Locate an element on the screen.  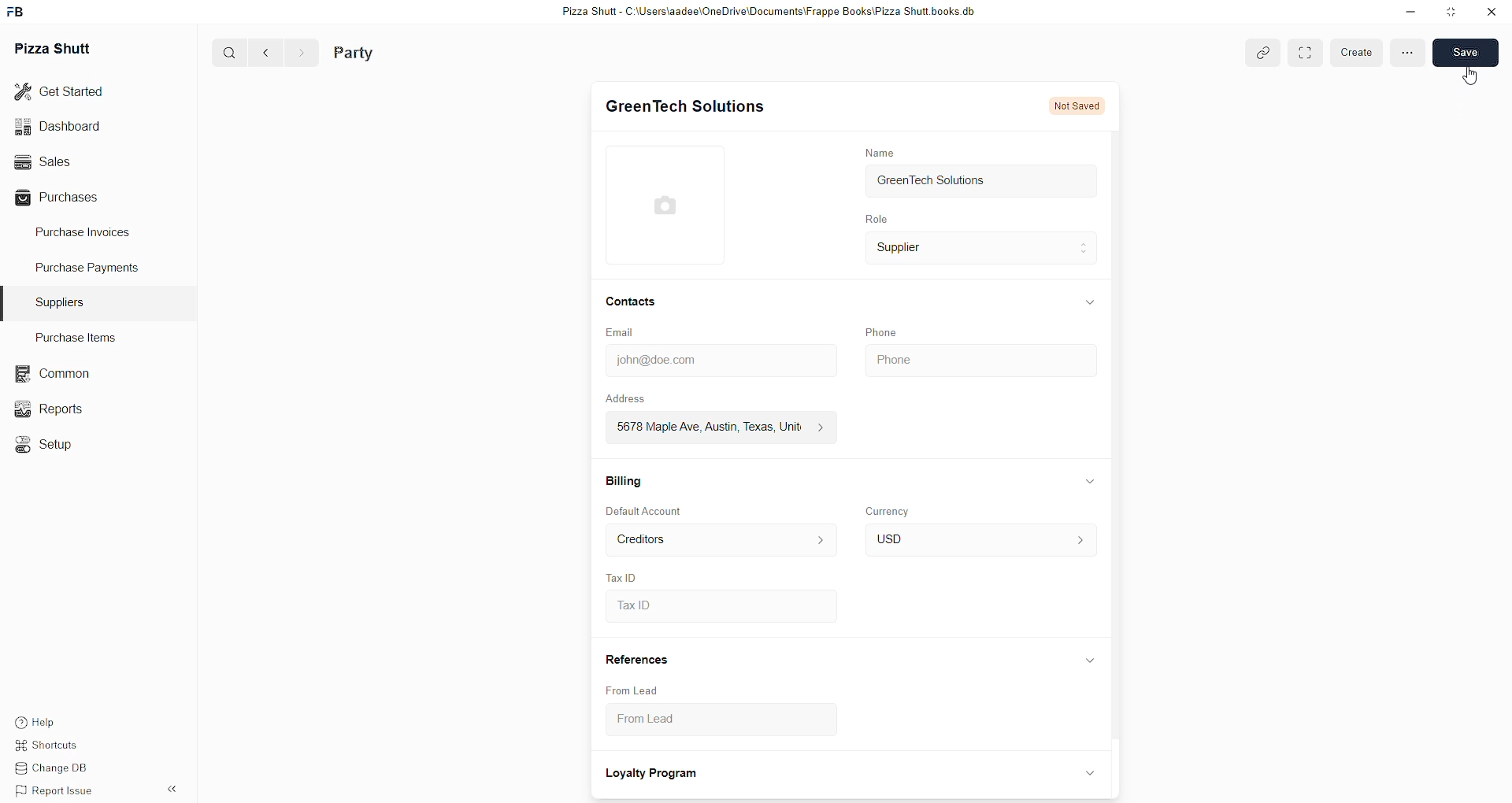
close is located at coordinates (1490, 12).